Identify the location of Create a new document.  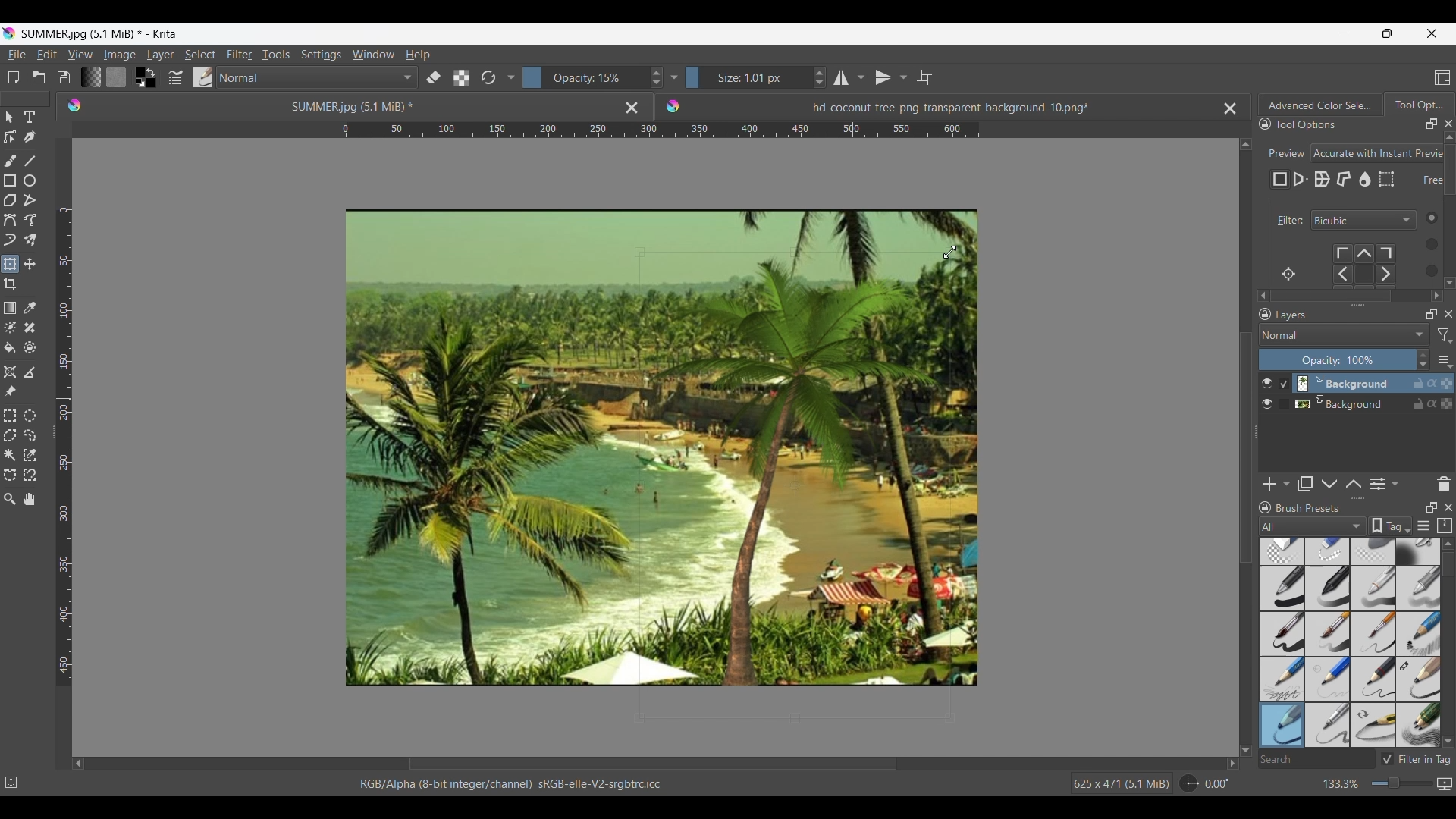
(13, 77).